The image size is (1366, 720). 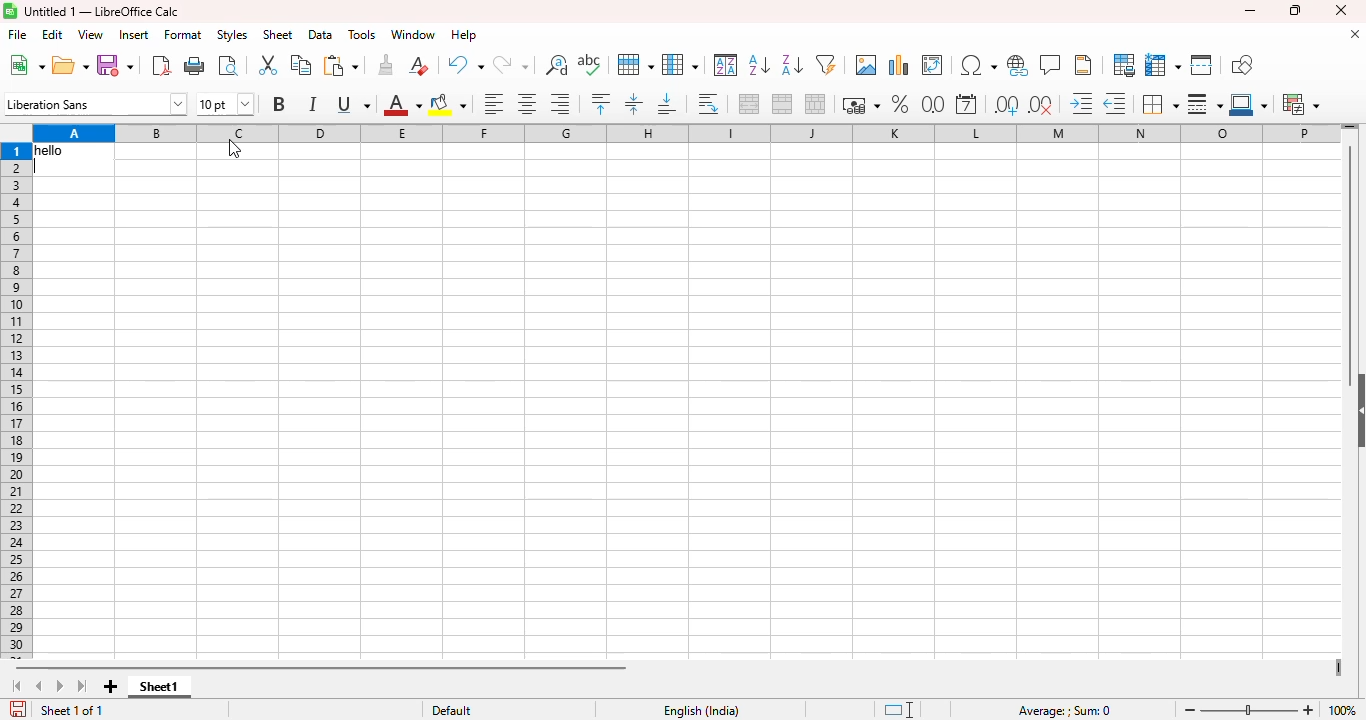 I want to click on split window, so click(x=1202, y=65).